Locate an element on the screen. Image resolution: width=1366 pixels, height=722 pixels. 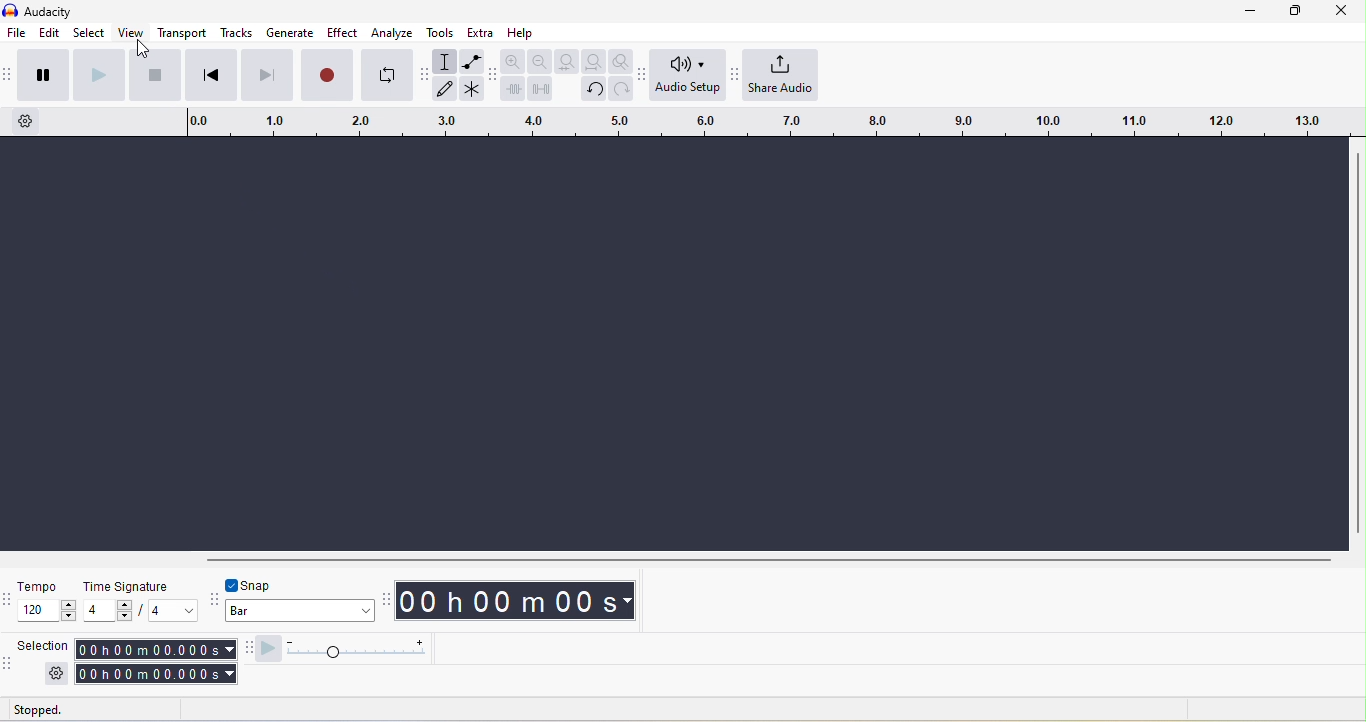
extra is located at coordinates (480, 32).